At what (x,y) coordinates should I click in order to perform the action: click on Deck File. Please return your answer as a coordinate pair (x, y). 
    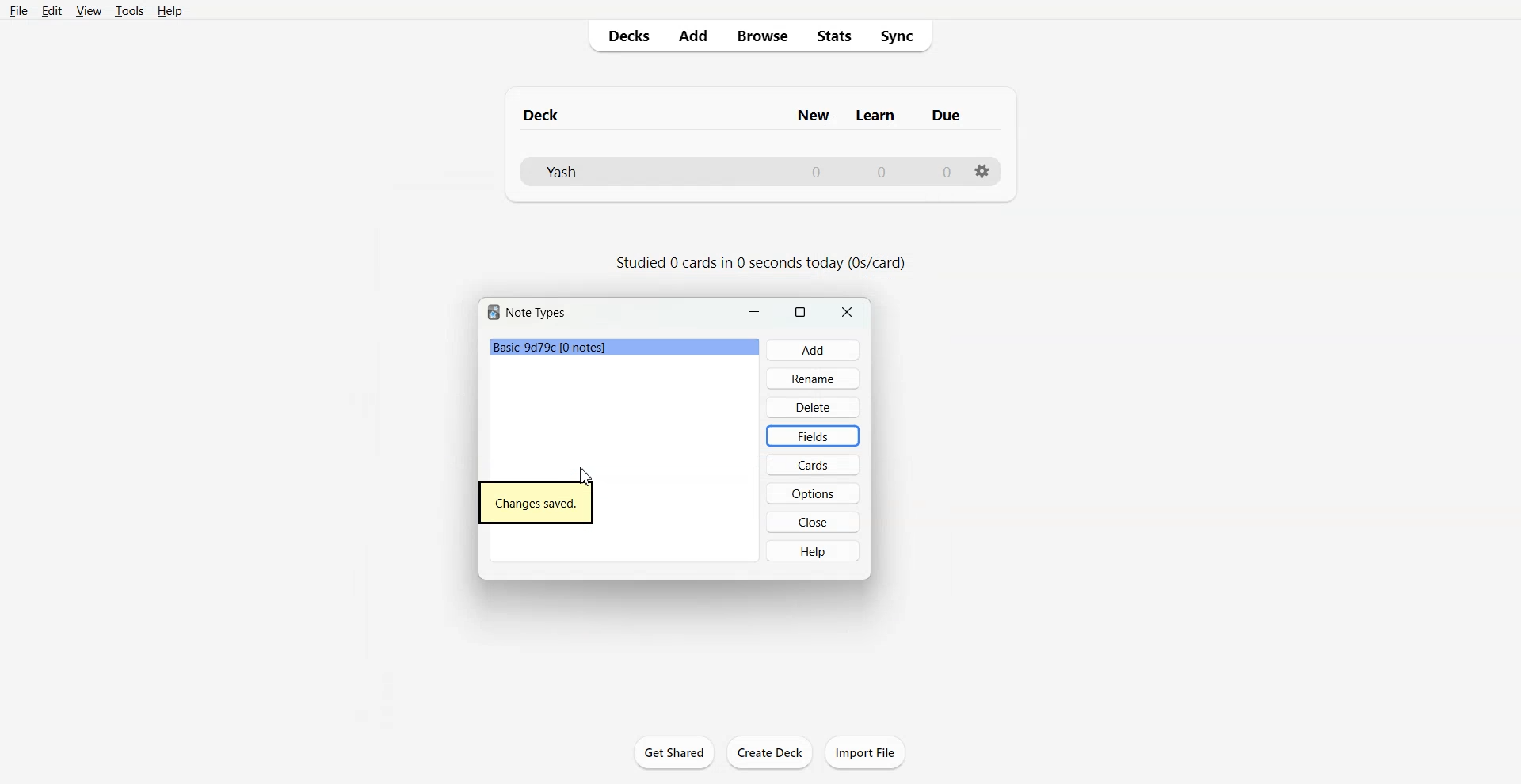
    Looking at the image, I should click on (650, 172).